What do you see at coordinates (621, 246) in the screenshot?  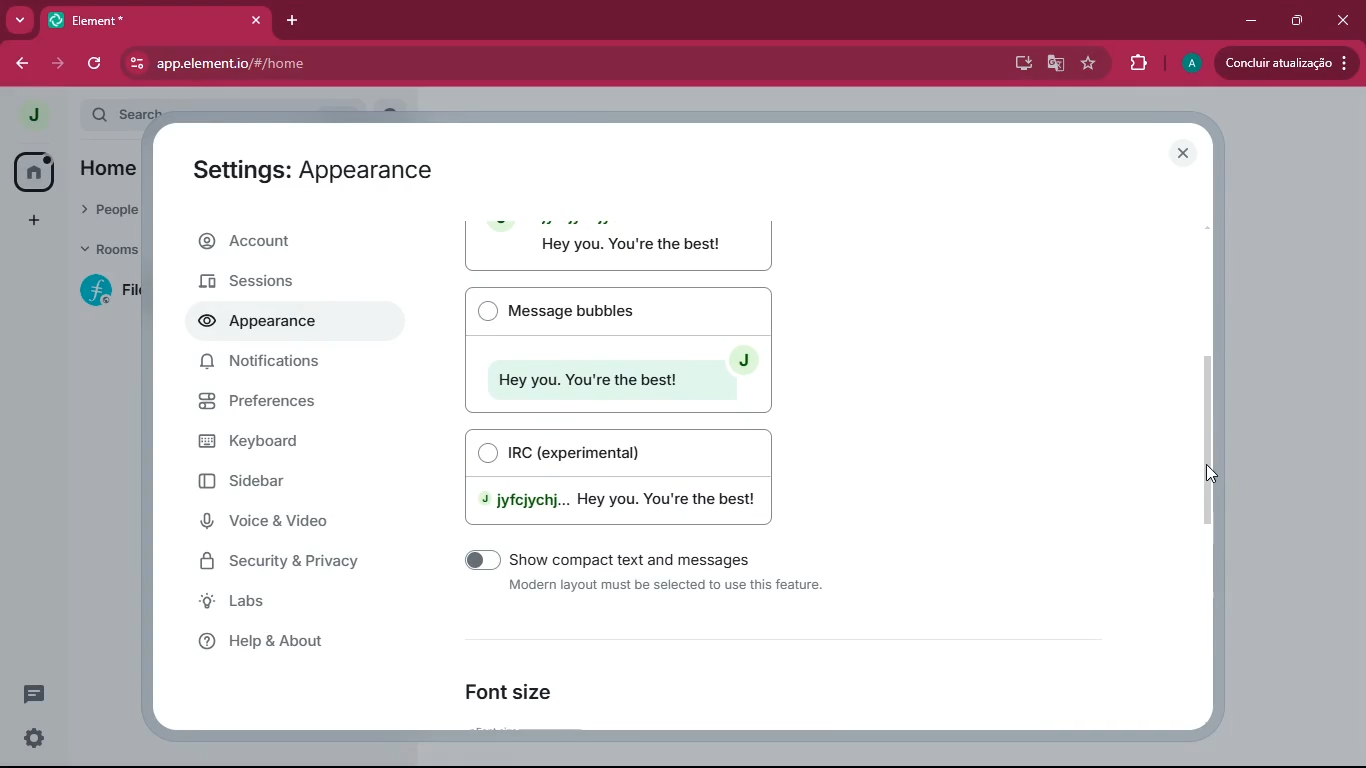 I see `Modern layout` at bounding box center [621, 246].